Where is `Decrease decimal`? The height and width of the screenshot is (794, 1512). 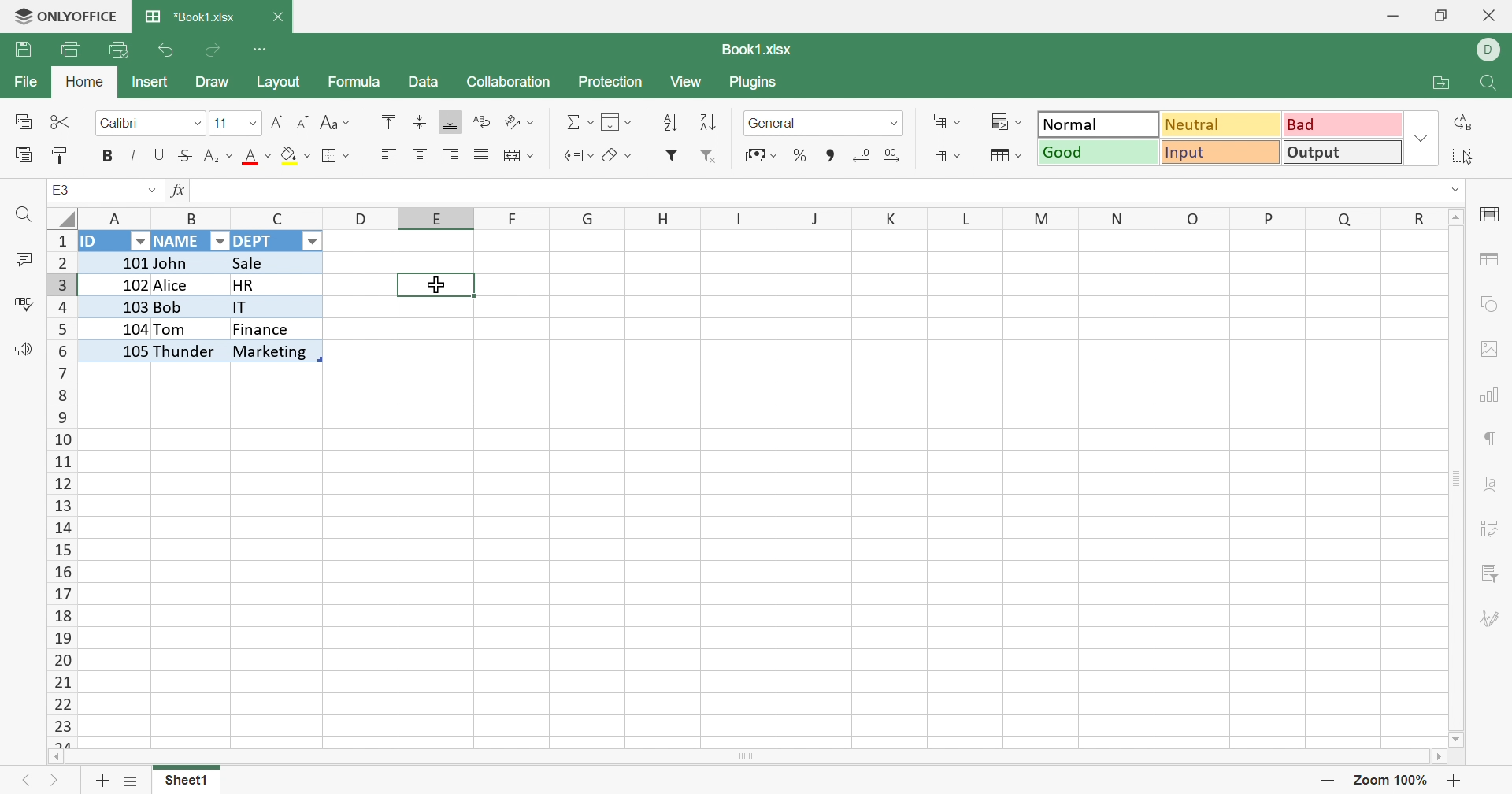
Decrease decimal is located at coordinates (862, 156).